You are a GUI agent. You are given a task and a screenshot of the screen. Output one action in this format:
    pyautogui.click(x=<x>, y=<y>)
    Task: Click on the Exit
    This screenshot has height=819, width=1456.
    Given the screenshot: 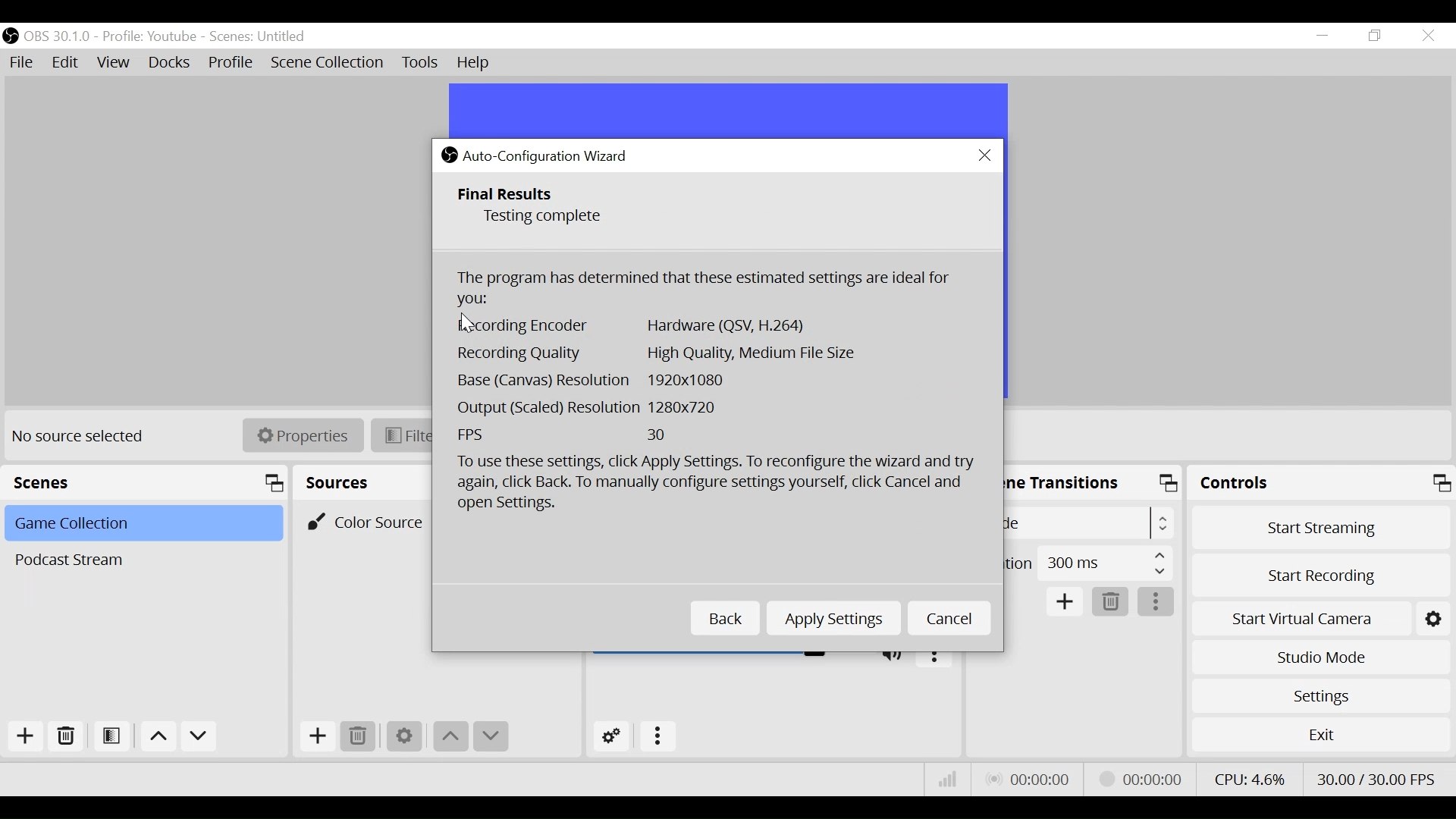 What is the action you would take?
    pyautogui.click(x=1320, y=735)
    